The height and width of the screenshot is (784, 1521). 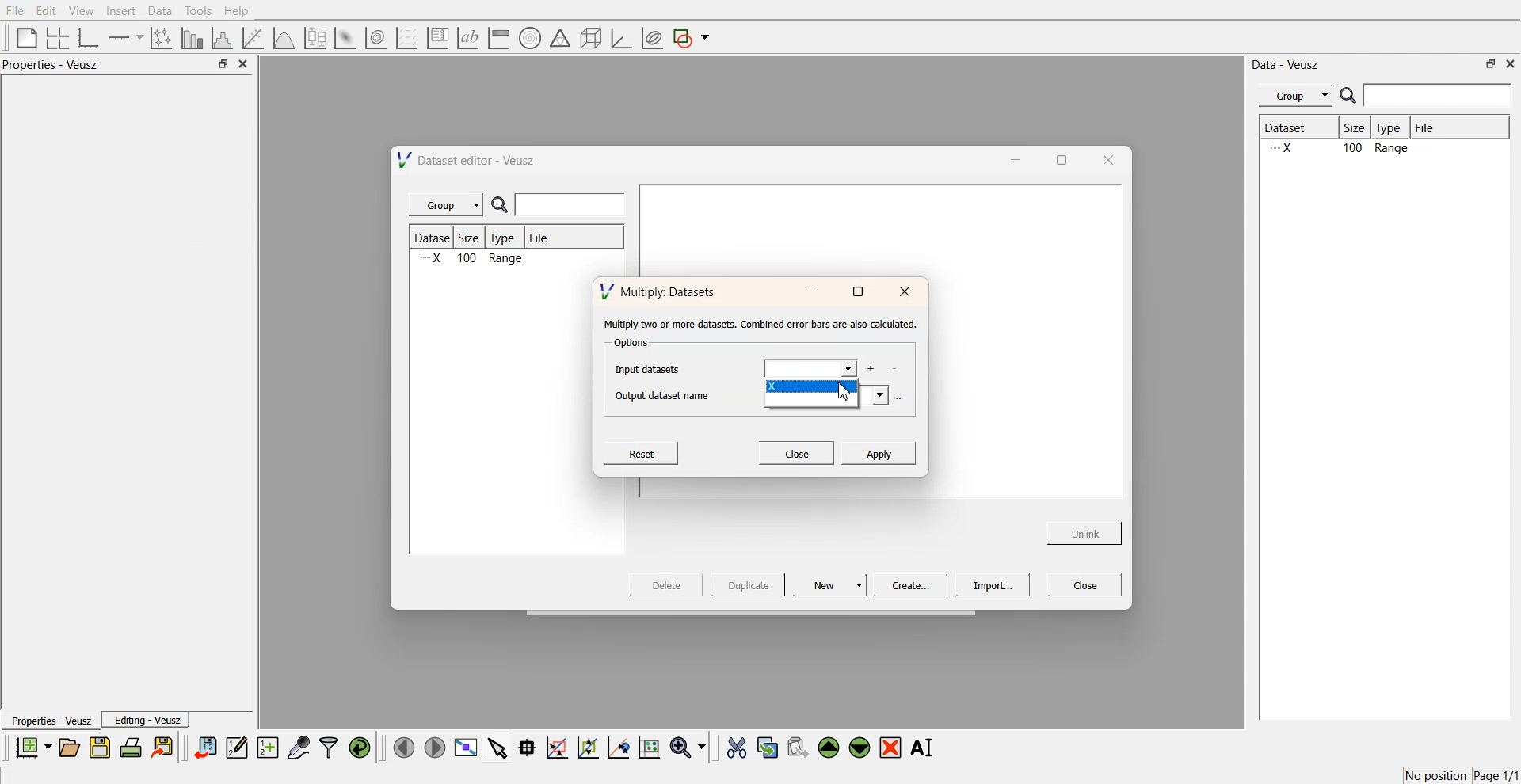 I want to click on arrange graphs, so click(x=55, y=37).